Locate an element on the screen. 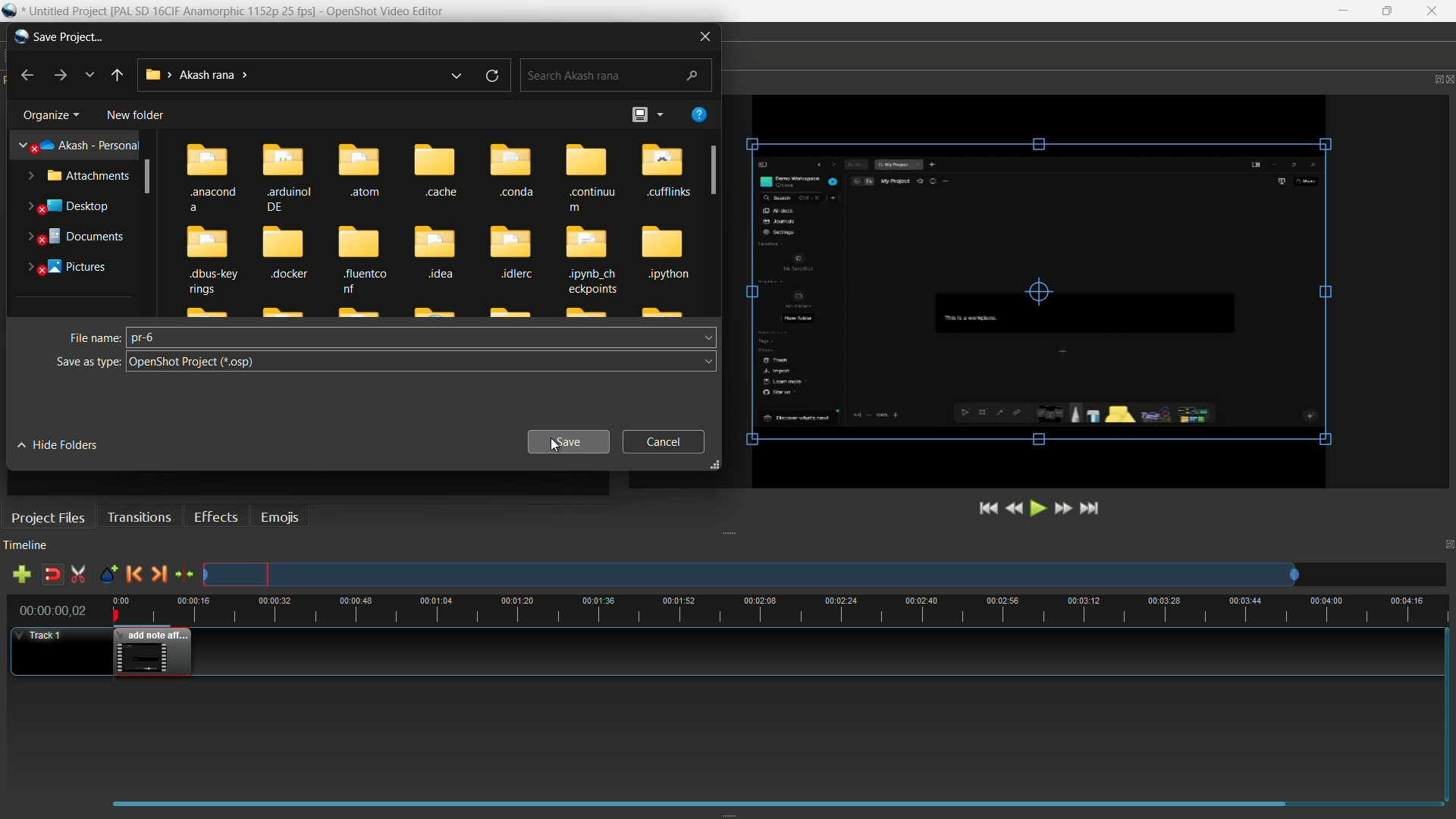 The image size is (1456, 819). enable razor is located at coordinates (78, 576).